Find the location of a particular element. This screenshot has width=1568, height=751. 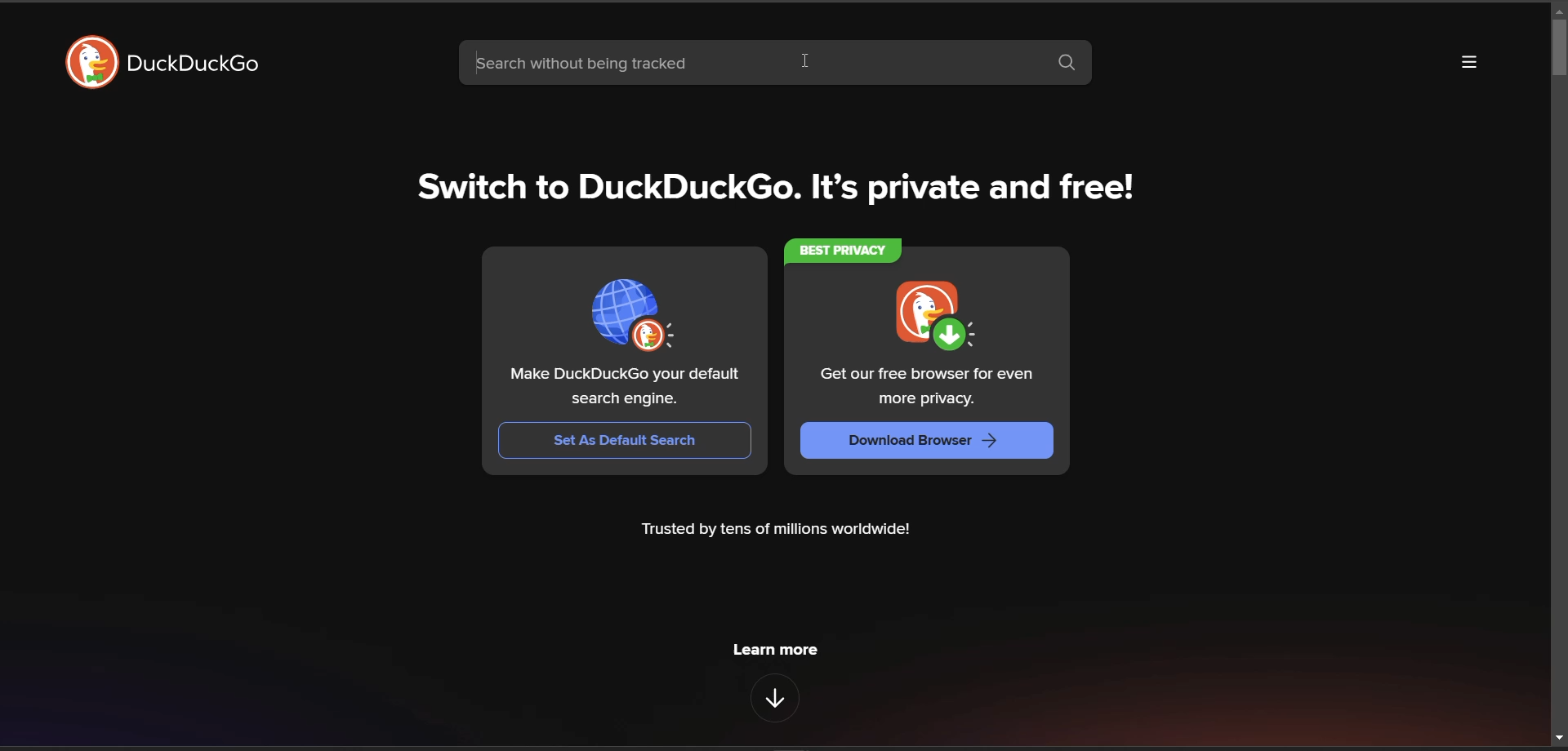

features is located at coordinates (773, 698).